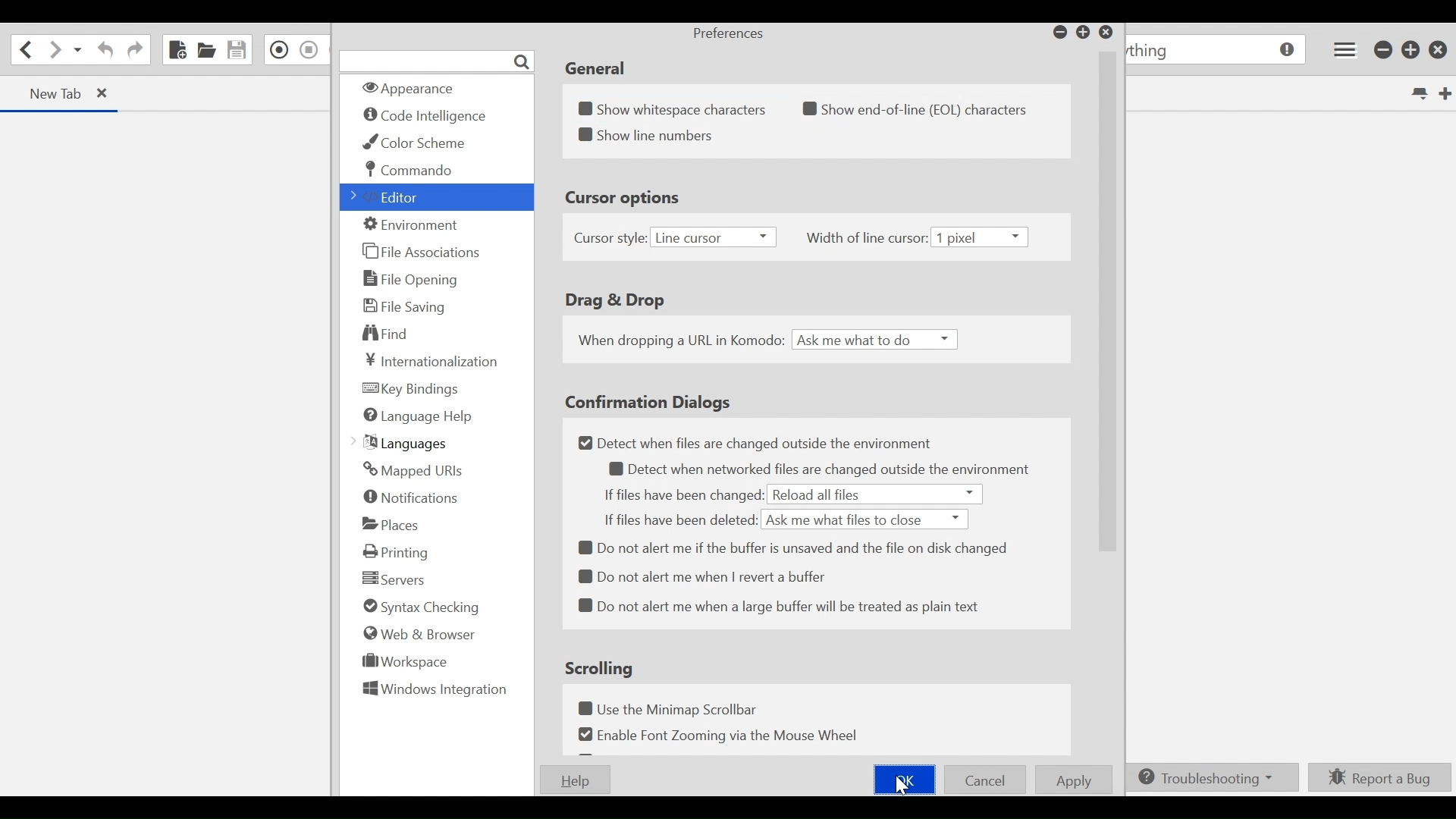  What do you see at coordinates (413, 280) in the screenshot?
I see `File Opening` at bounding box center [413, 280].